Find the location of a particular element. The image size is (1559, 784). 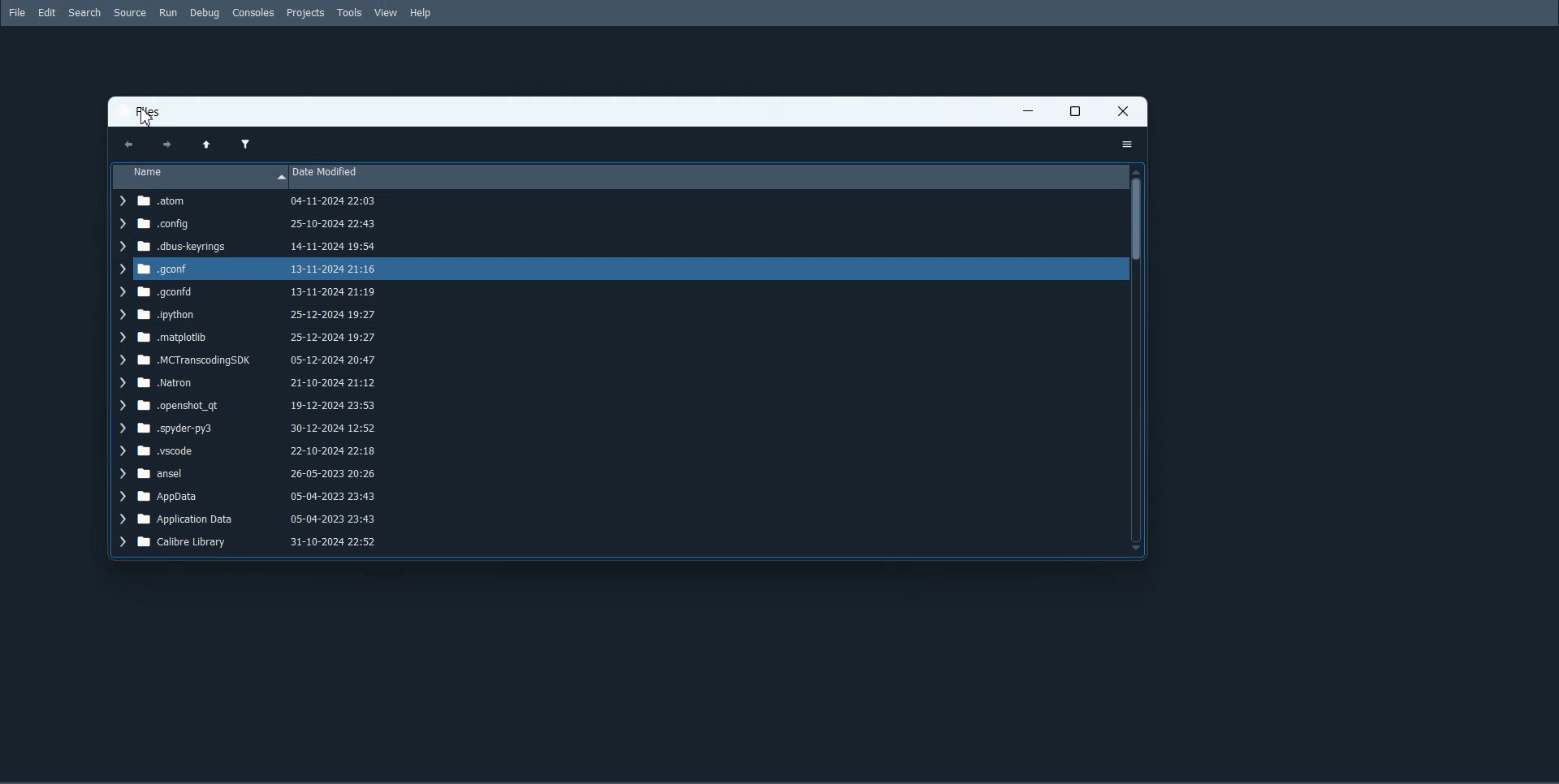

Files is located at coordinates (151, 113).